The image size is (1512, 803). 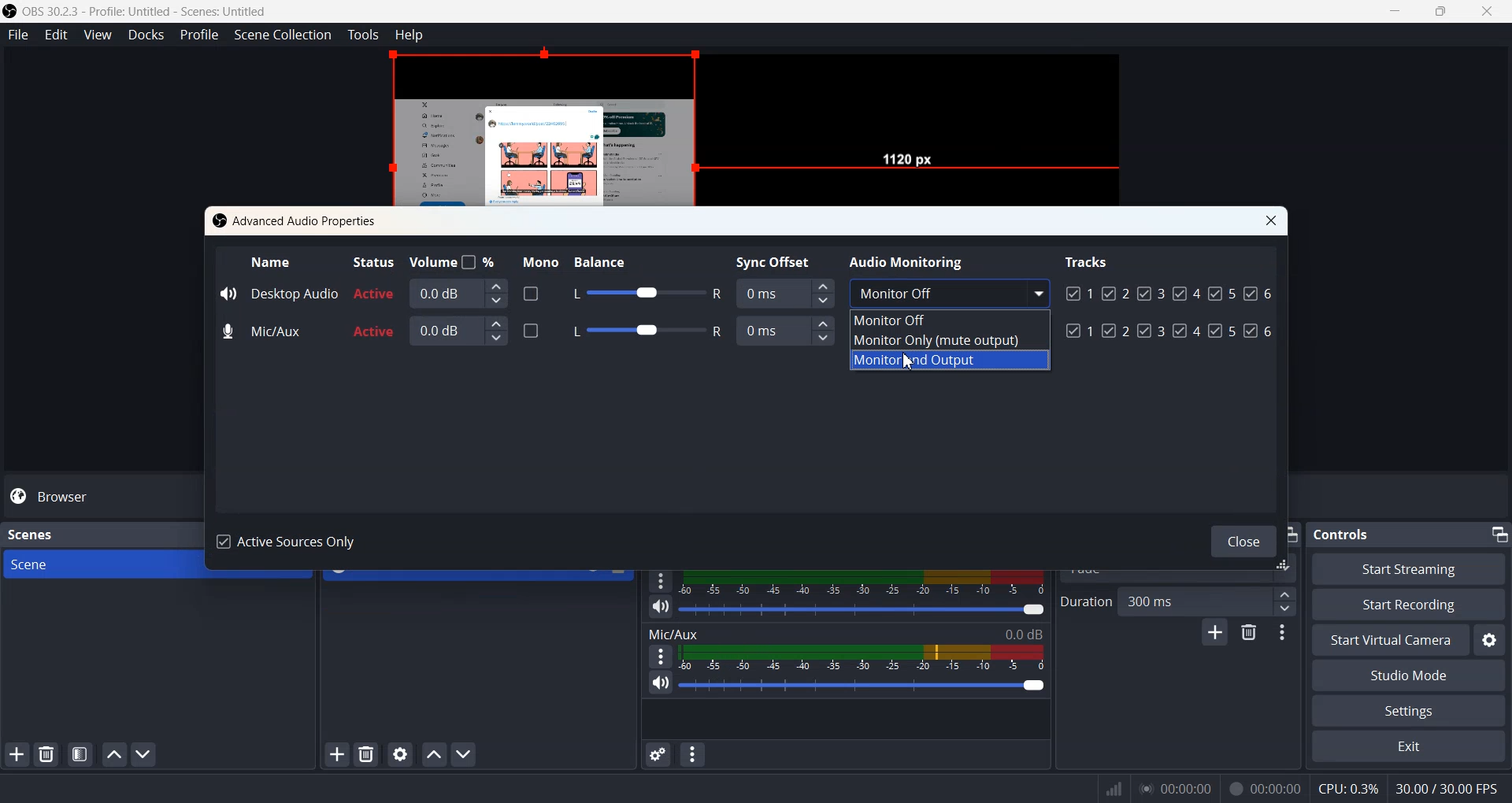 What do you see at coordinates (337, 753) in the screenshot?
I see `Add Sources` at bounding box center [337, 753].